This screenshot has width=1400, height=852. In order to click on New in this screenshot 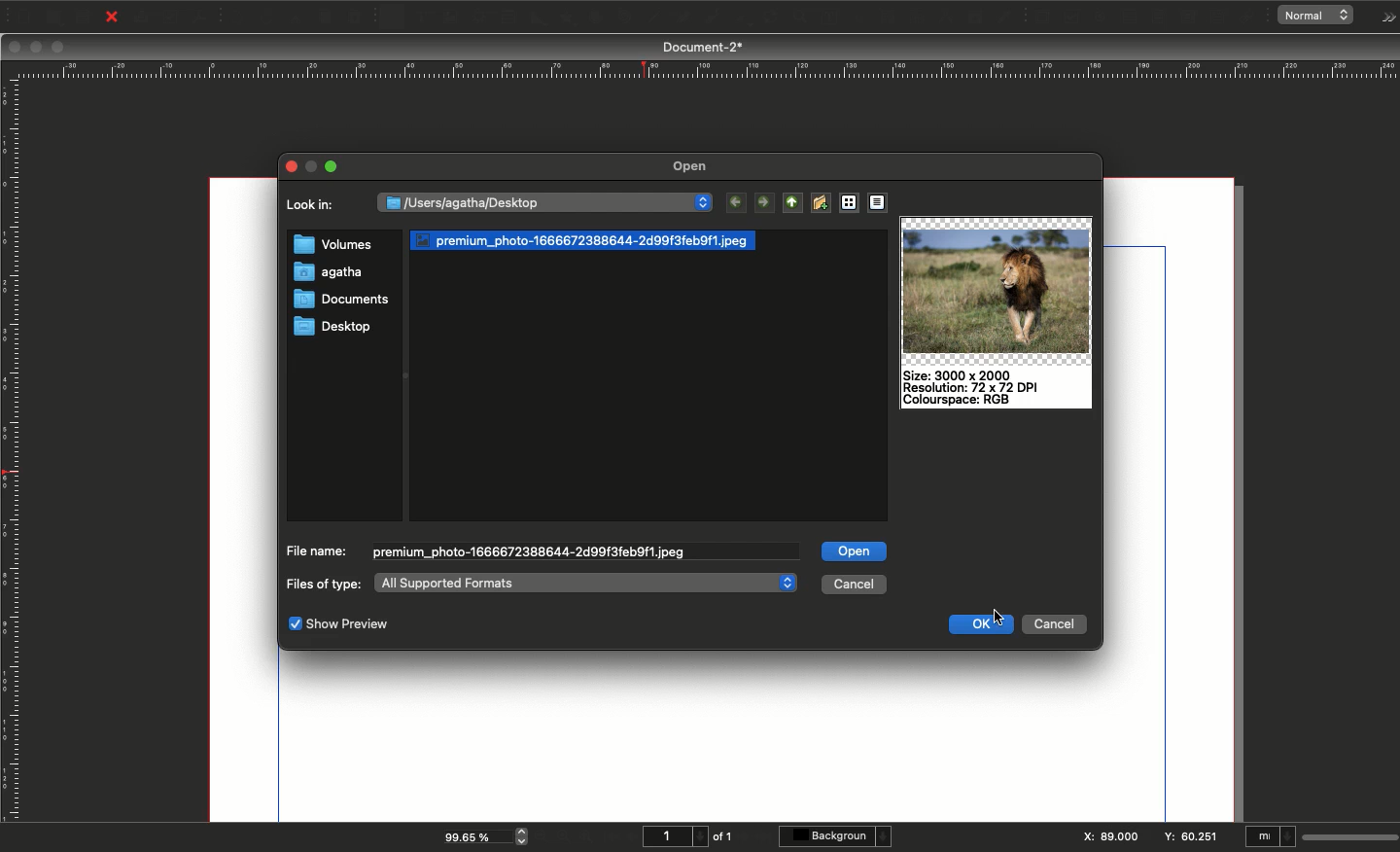, I will do `click(21, 15)`.